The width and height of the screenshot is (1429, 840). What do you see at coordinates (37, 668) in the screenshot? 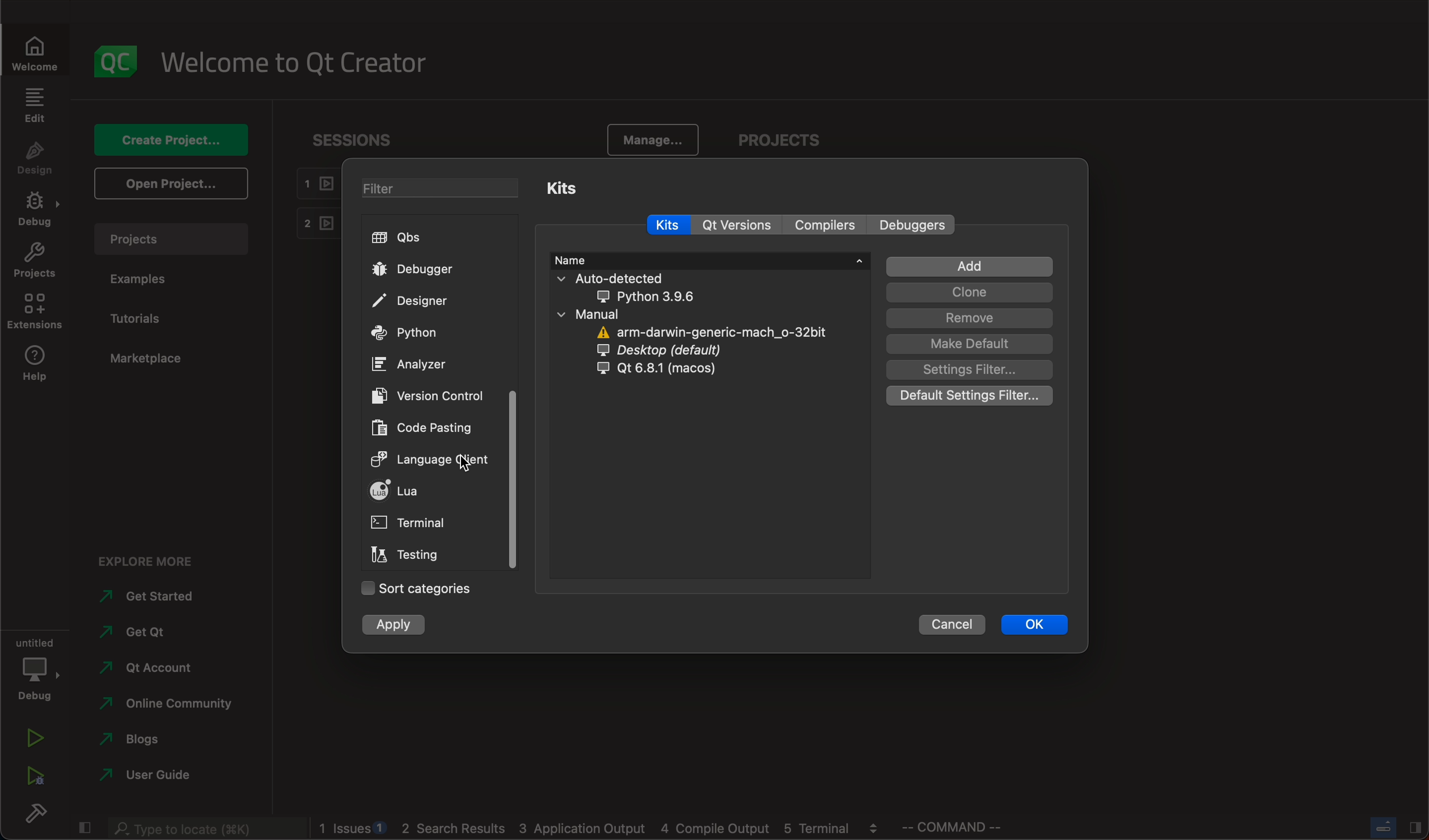
I see `debug` at bounding box center [37, 668].